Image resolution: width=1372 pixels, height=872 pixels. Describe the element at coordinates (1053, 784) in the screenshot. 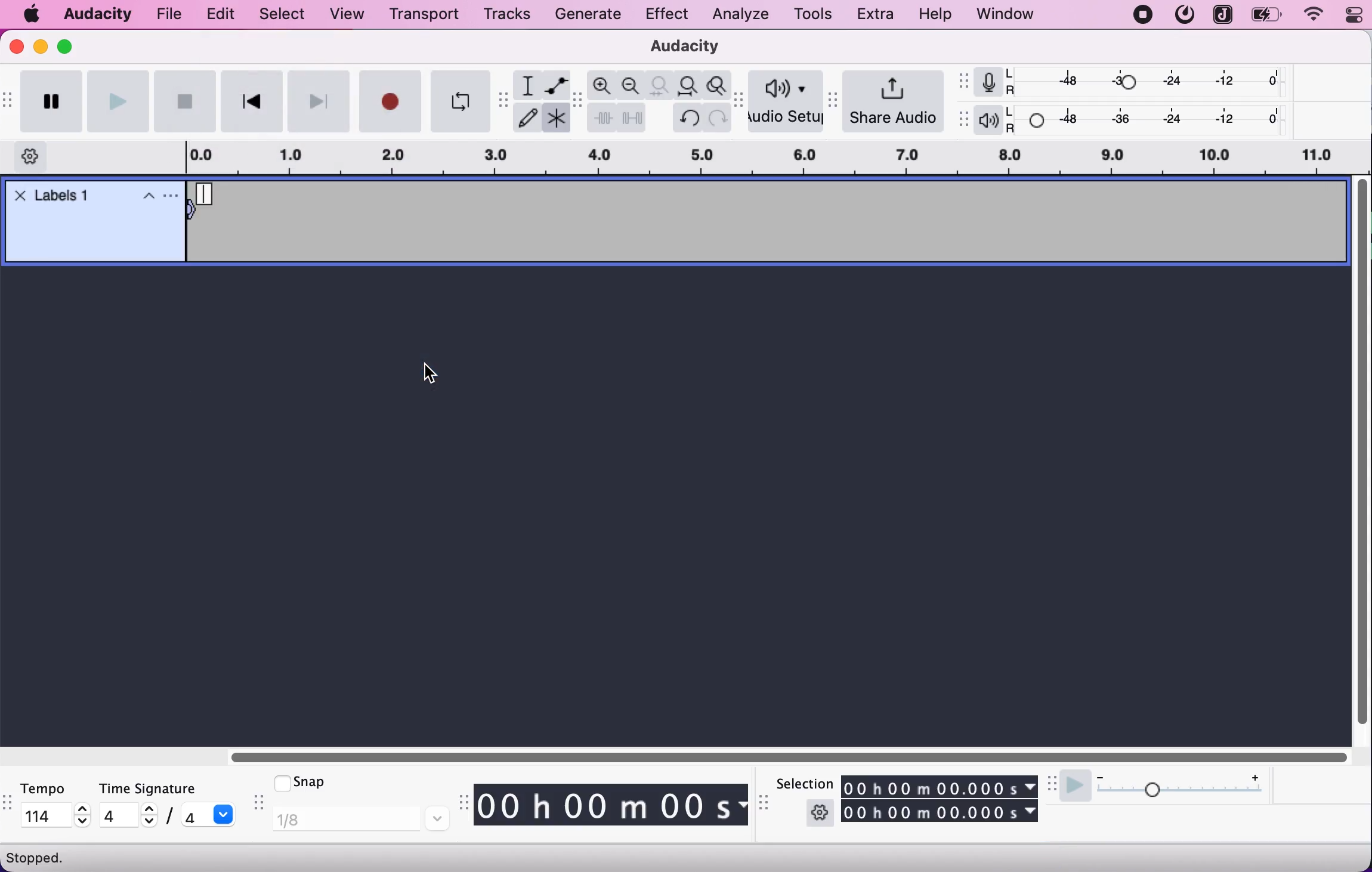

I see `audacity play at speed toolbar` at that location.